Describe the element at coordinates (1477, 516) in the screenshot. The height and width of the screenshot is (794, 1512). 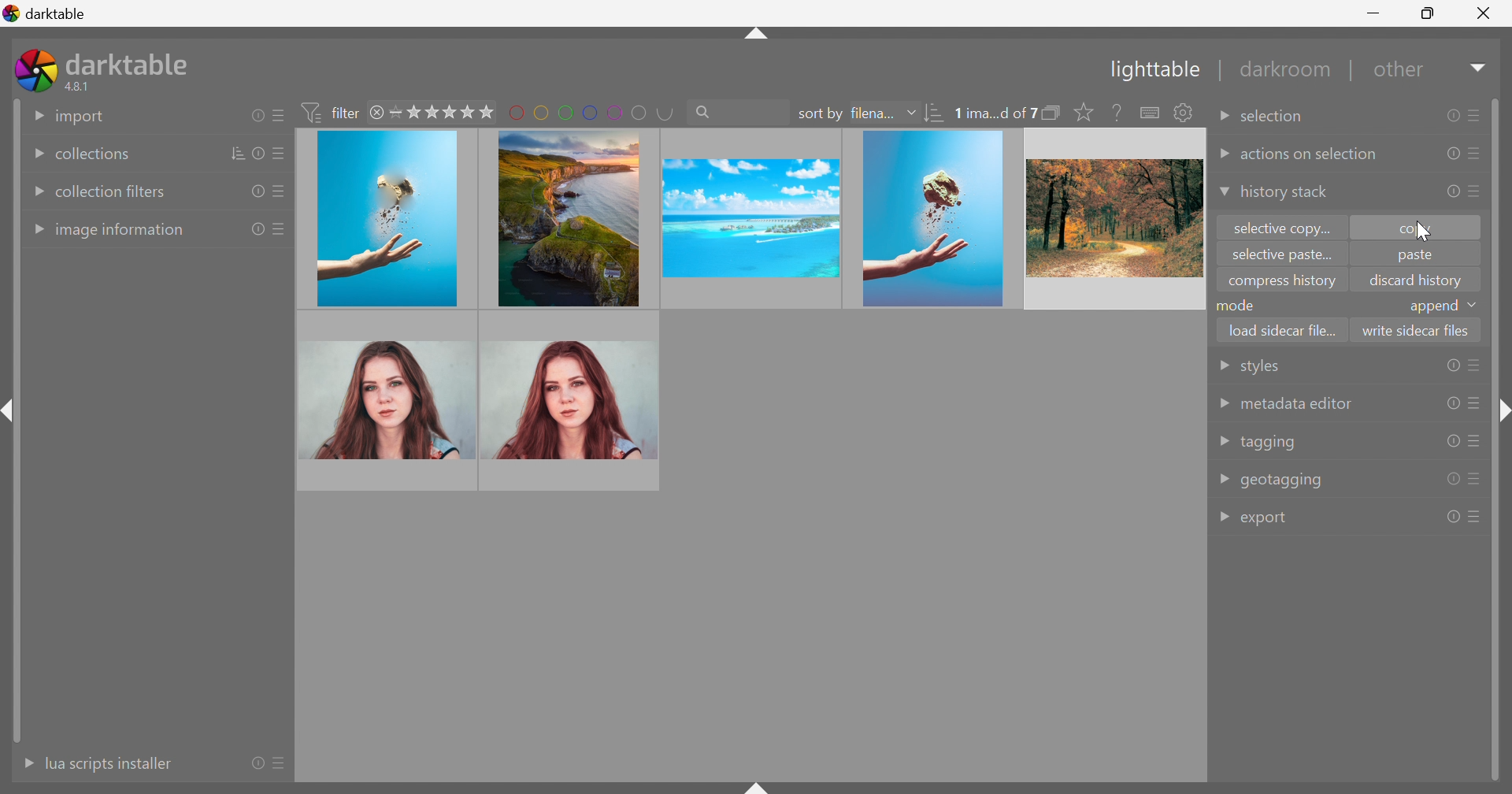
I see `presets` at that location.